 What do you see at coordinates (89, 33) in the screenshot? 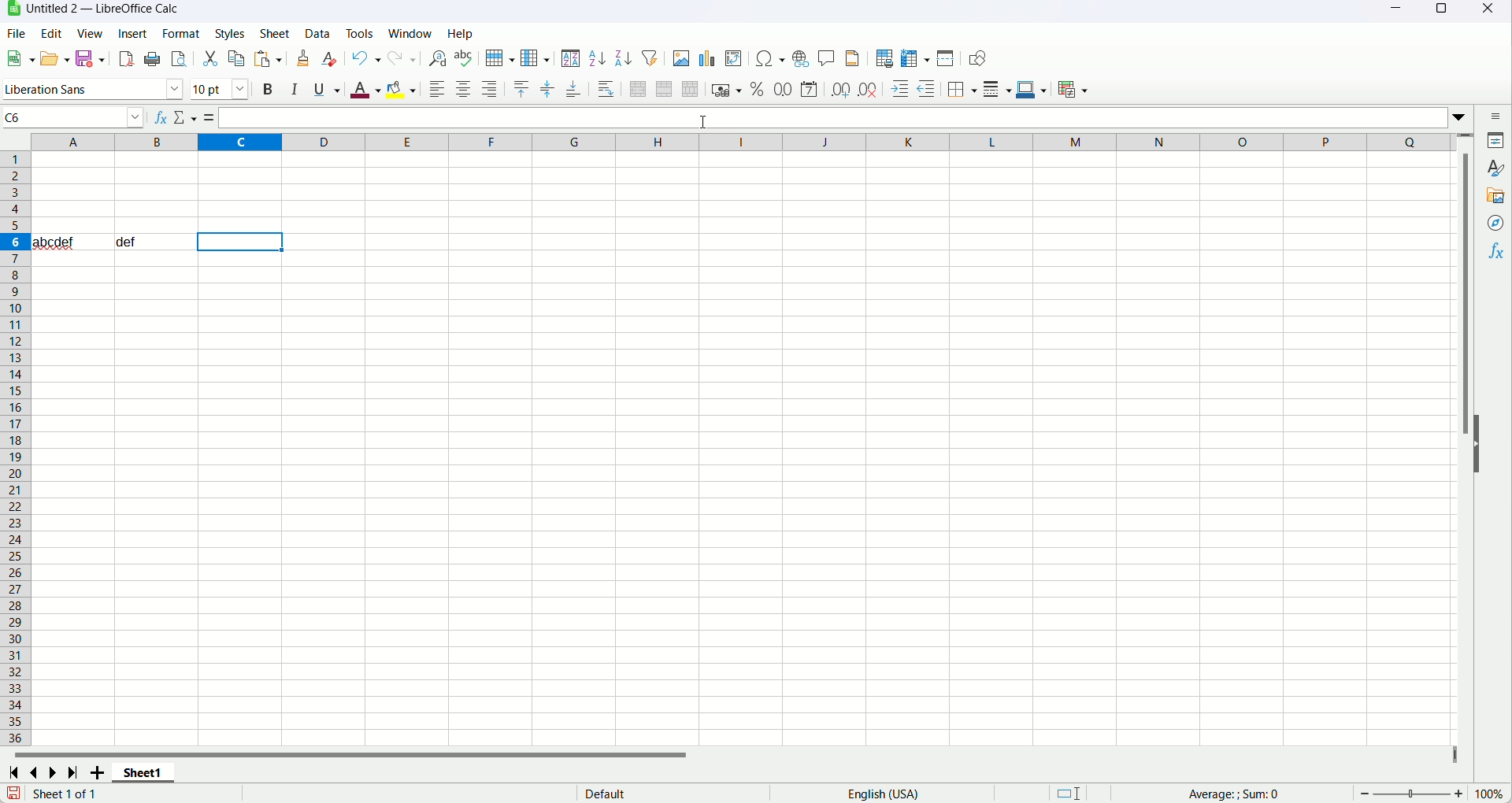
I see `view` at bounding box center [89, 33].